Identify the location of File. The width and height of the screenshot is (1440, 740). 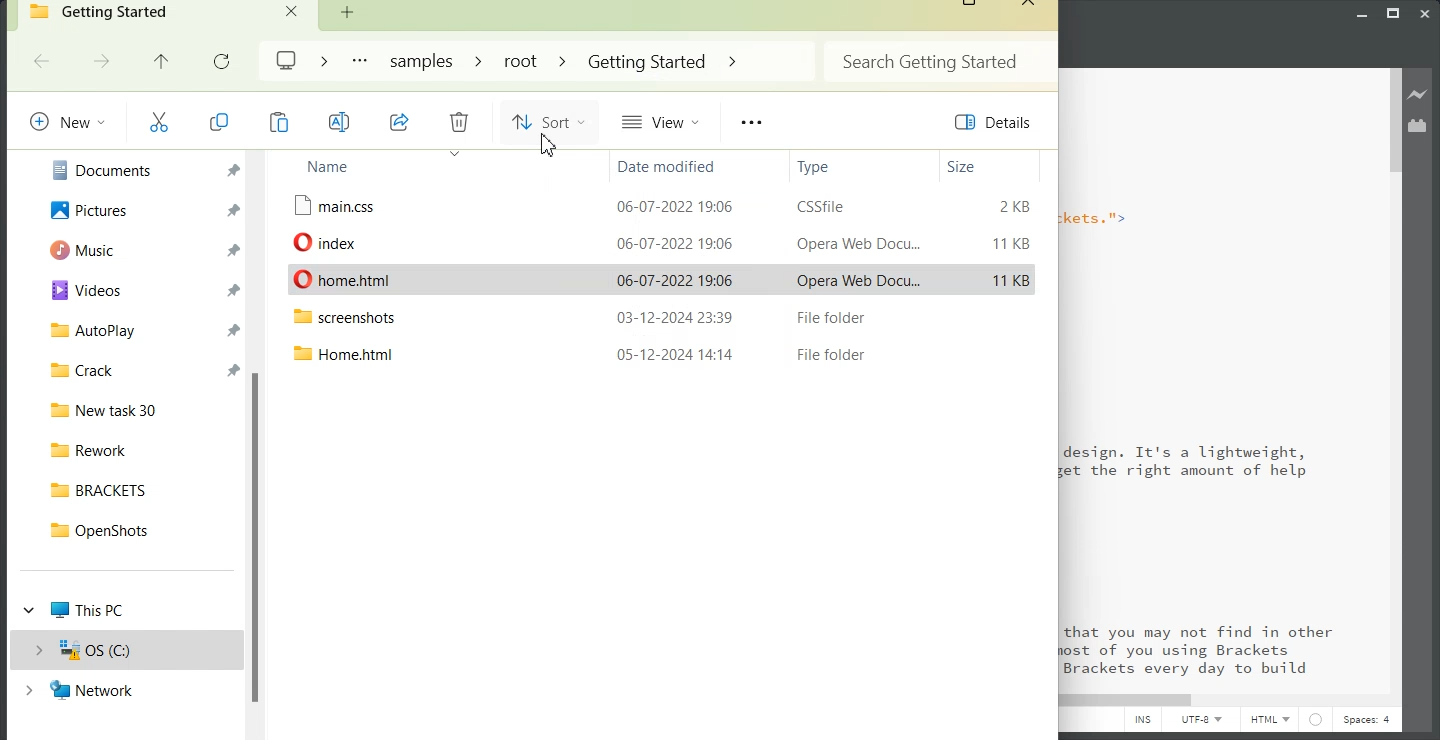
(581, 320).